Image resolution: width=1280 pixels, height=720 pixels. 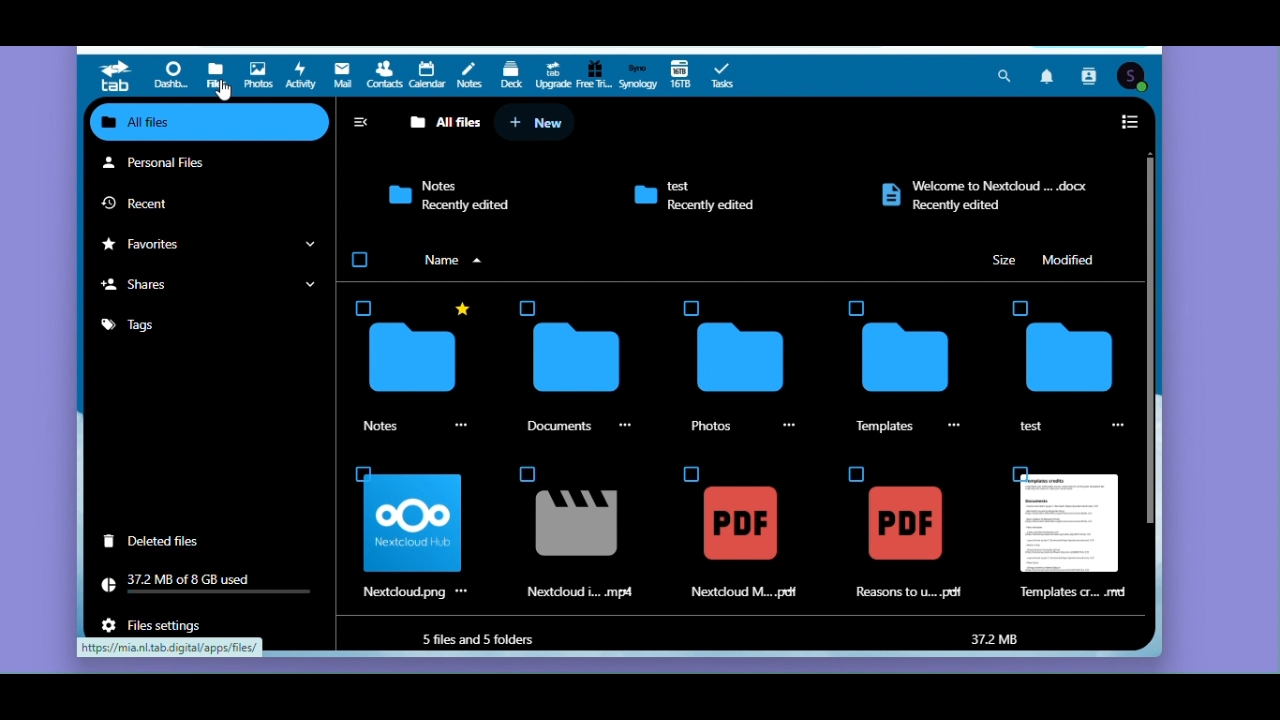 I want to click on 16 TB, so click(x=681, y=73).